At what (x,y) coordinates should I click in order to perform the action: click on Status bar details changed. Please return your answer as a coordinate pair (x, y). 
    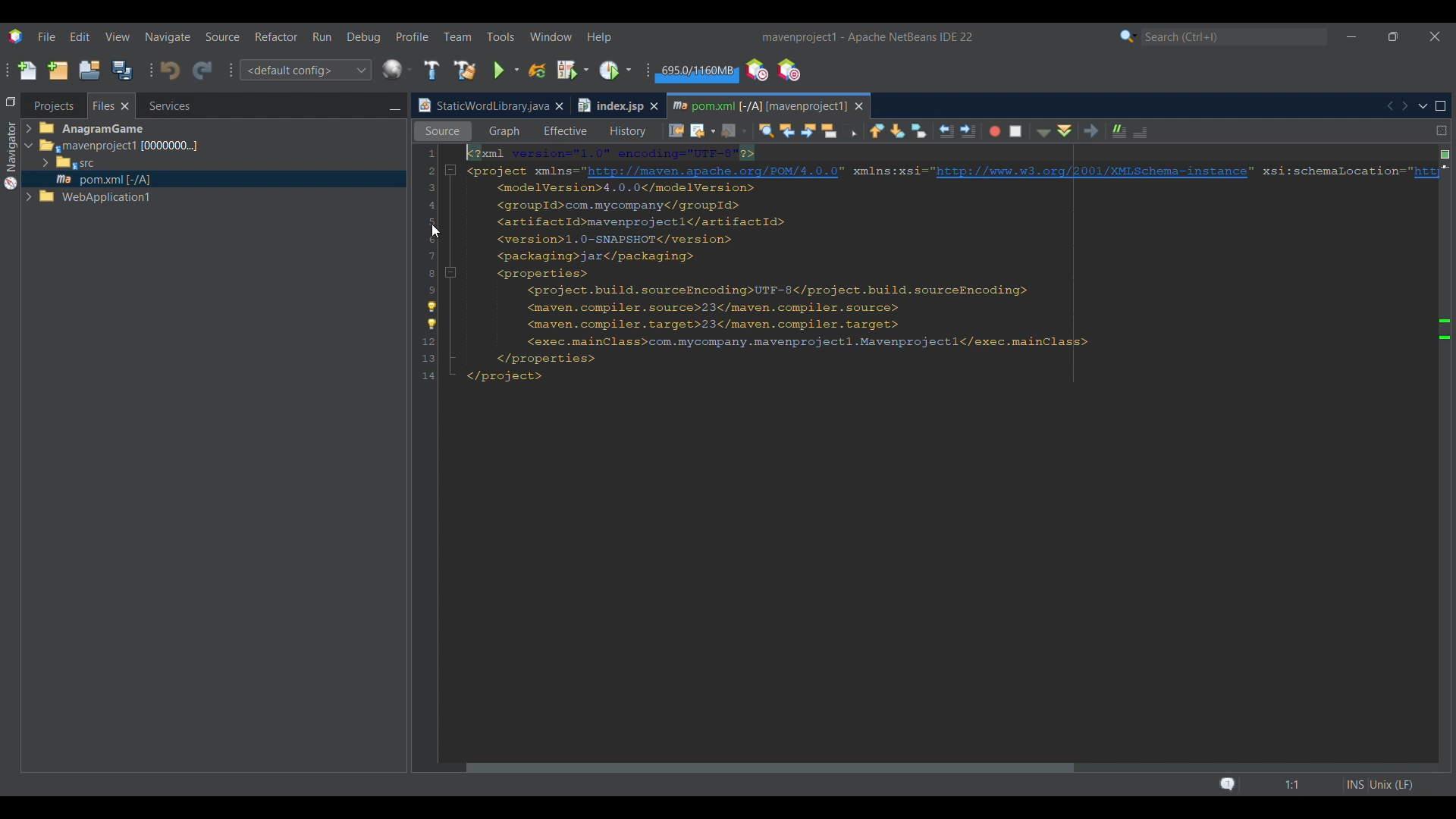
    Looking at the image, I should click on (1316, 785).